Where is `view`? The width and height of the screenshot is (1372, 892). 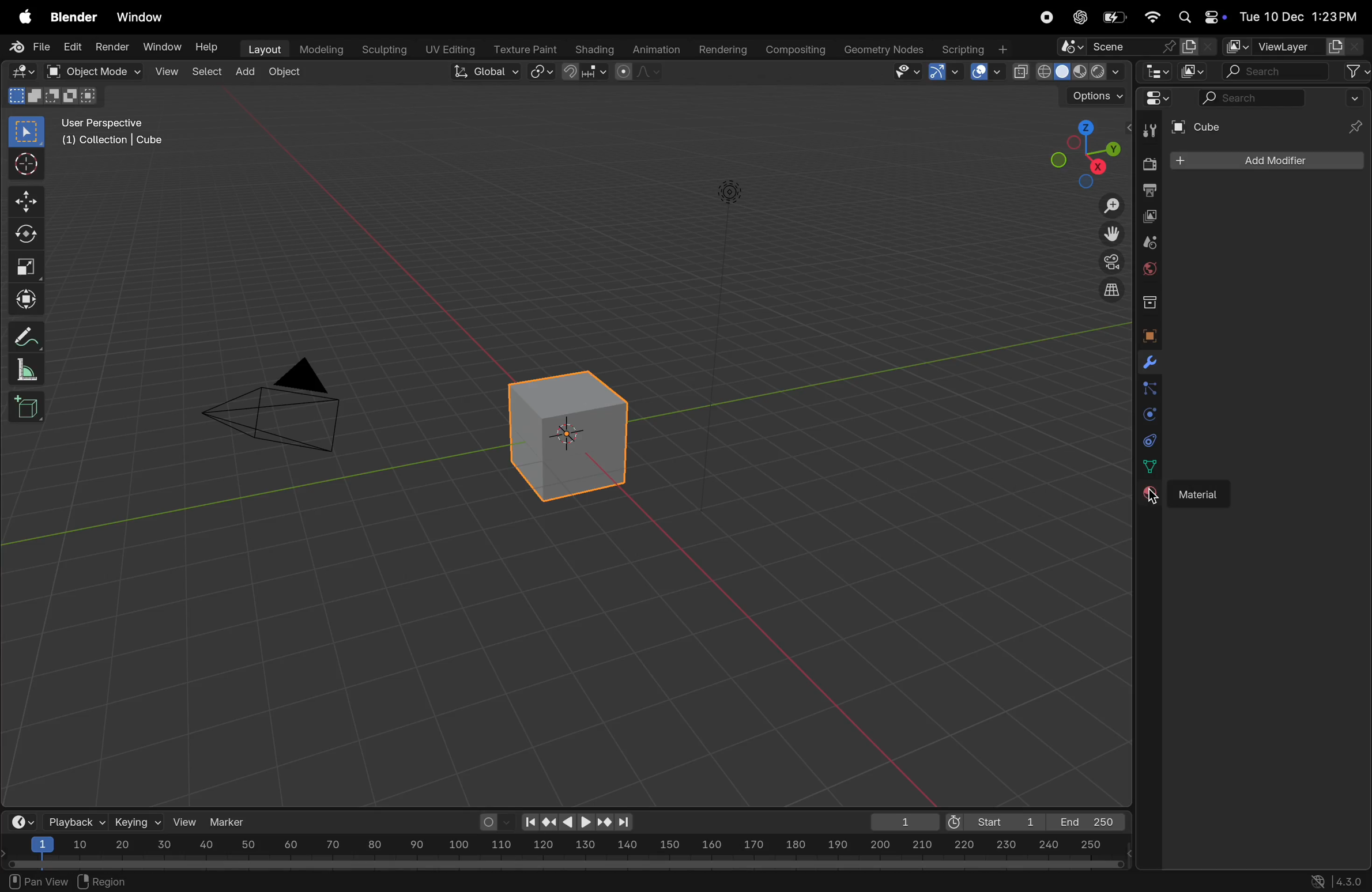
view is located at coordinates (186, 822).